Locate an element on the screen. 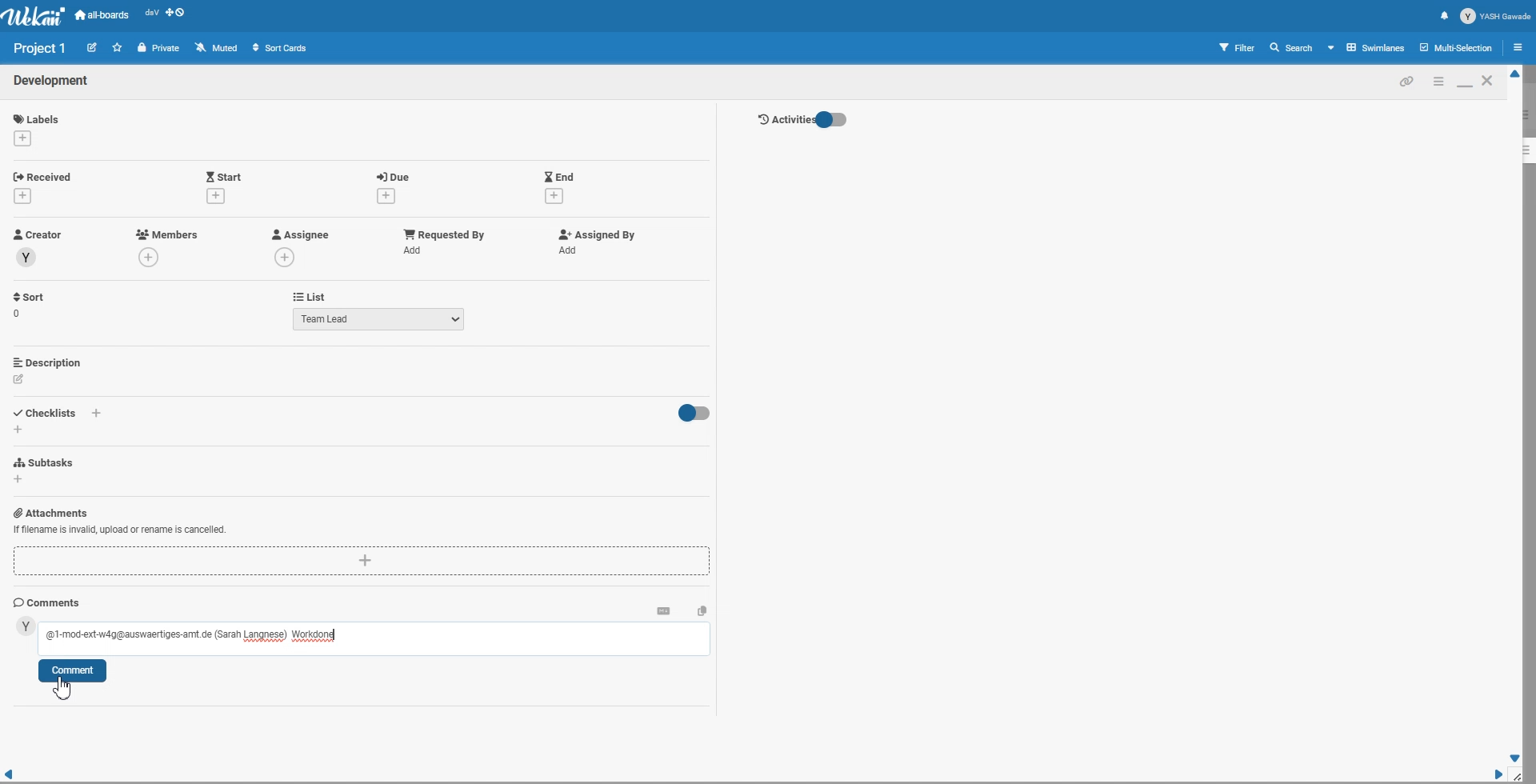 This screenshot has height=784, width=1536. Copy card link is located at coordinates (1407, 81).